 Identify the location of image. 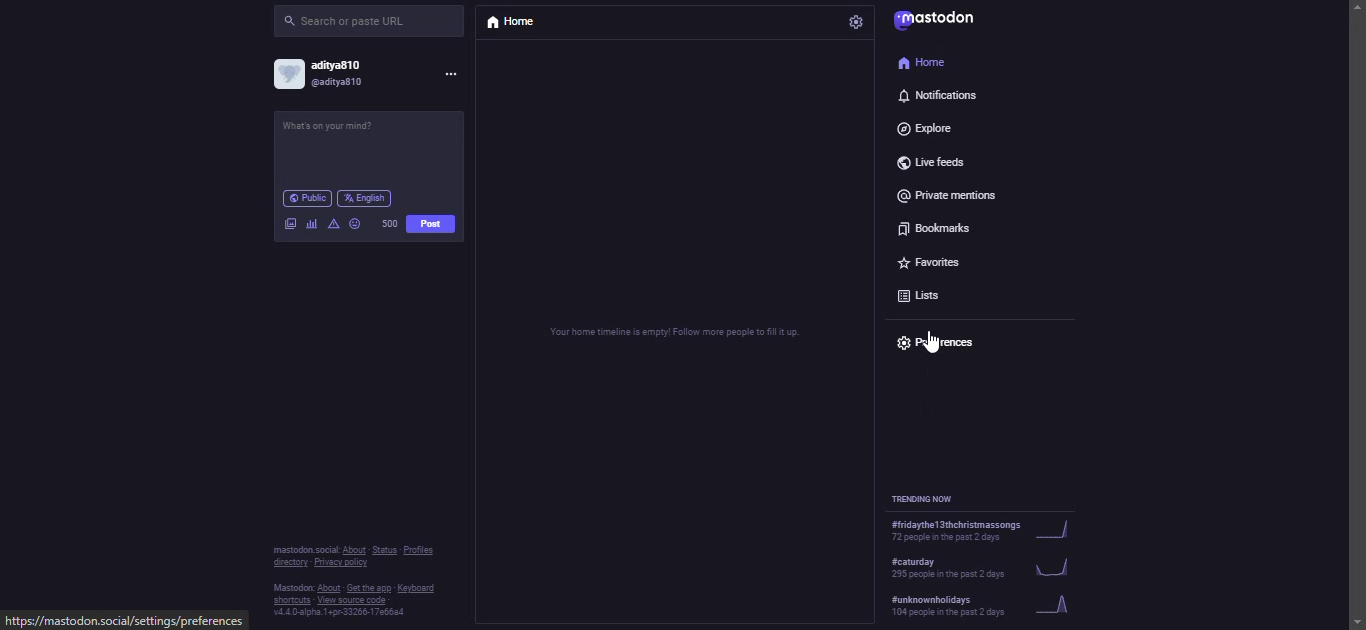
(291, 225).